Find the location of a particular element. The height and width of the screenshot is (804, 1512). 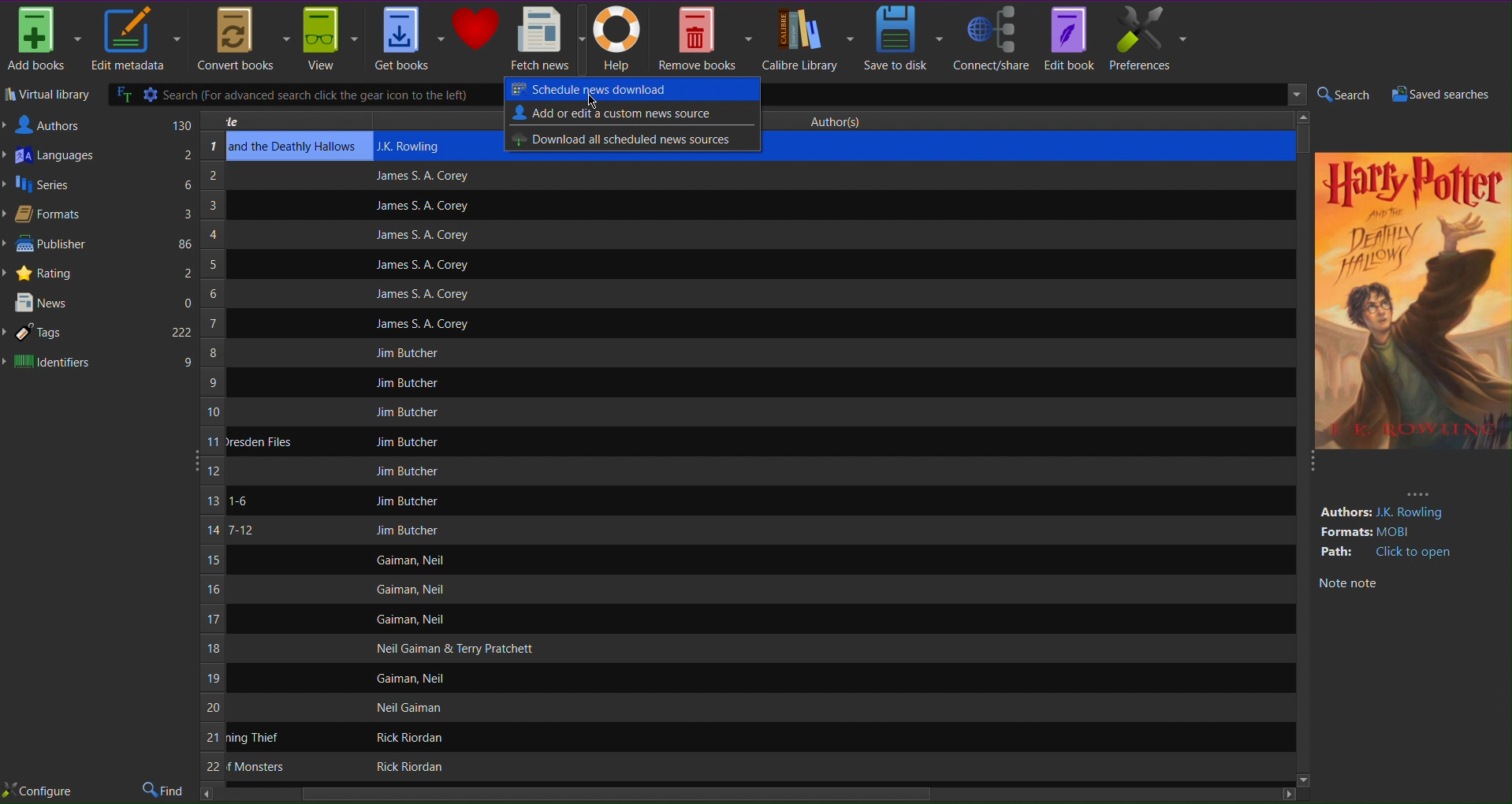

Note note is located at coordinates (1347, 584).